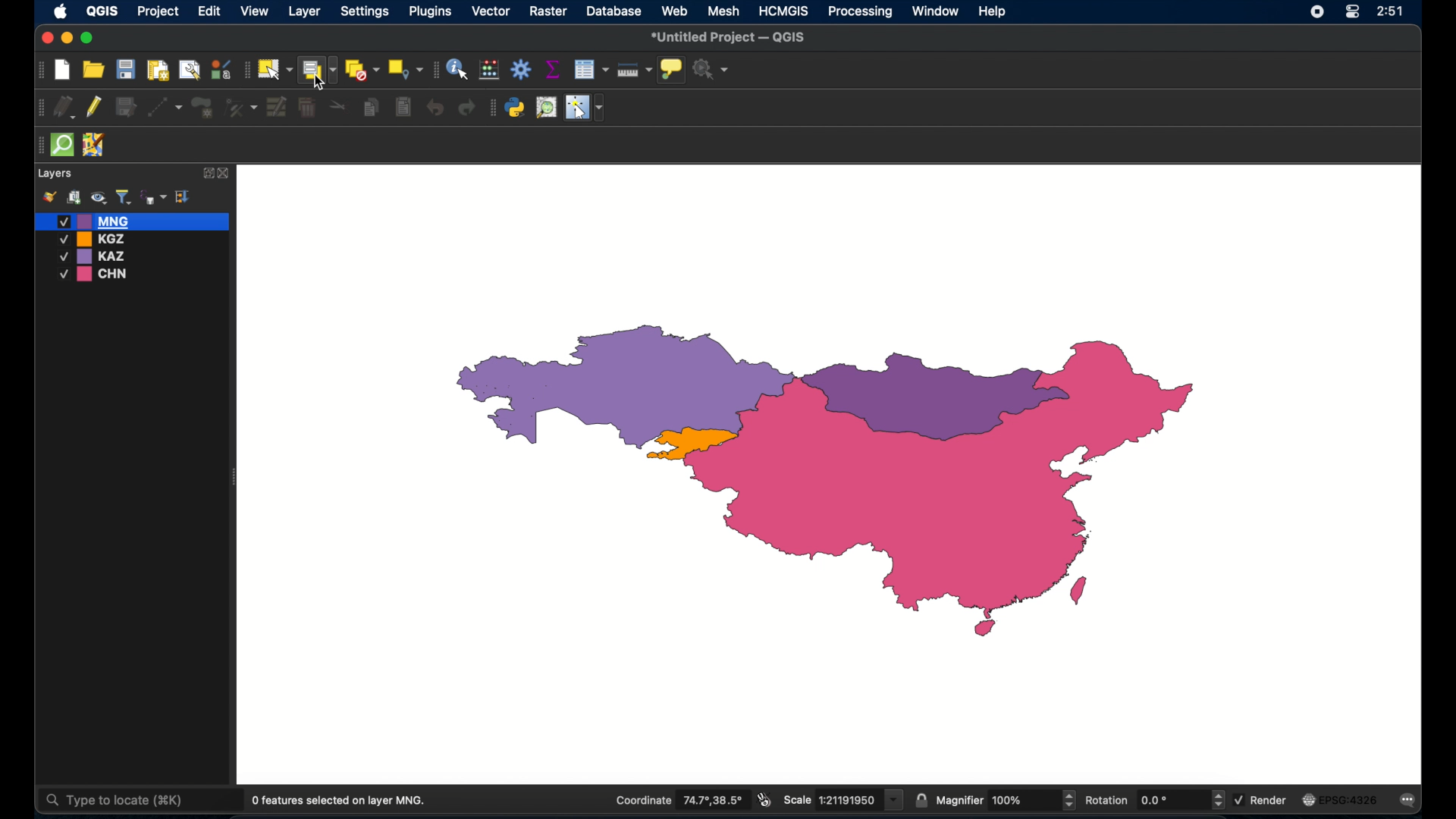 This screenshot has width=1456, height=819. Describe the element at coordinates (921, 801) in the screenshot. I see `lock scale` at that location.